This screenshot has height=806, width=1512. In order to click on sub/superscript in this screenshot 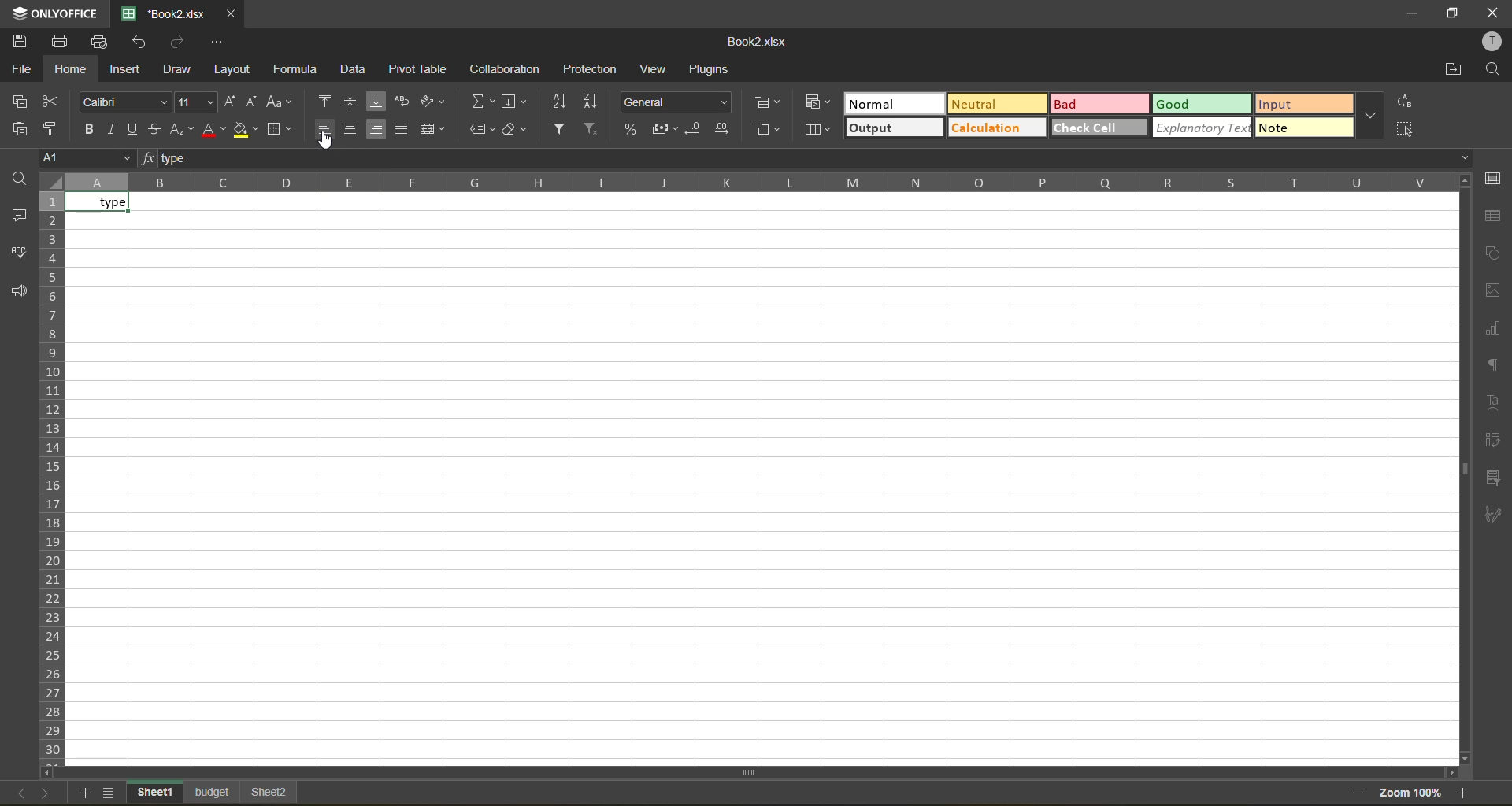, I will do `click(180, 129)`.